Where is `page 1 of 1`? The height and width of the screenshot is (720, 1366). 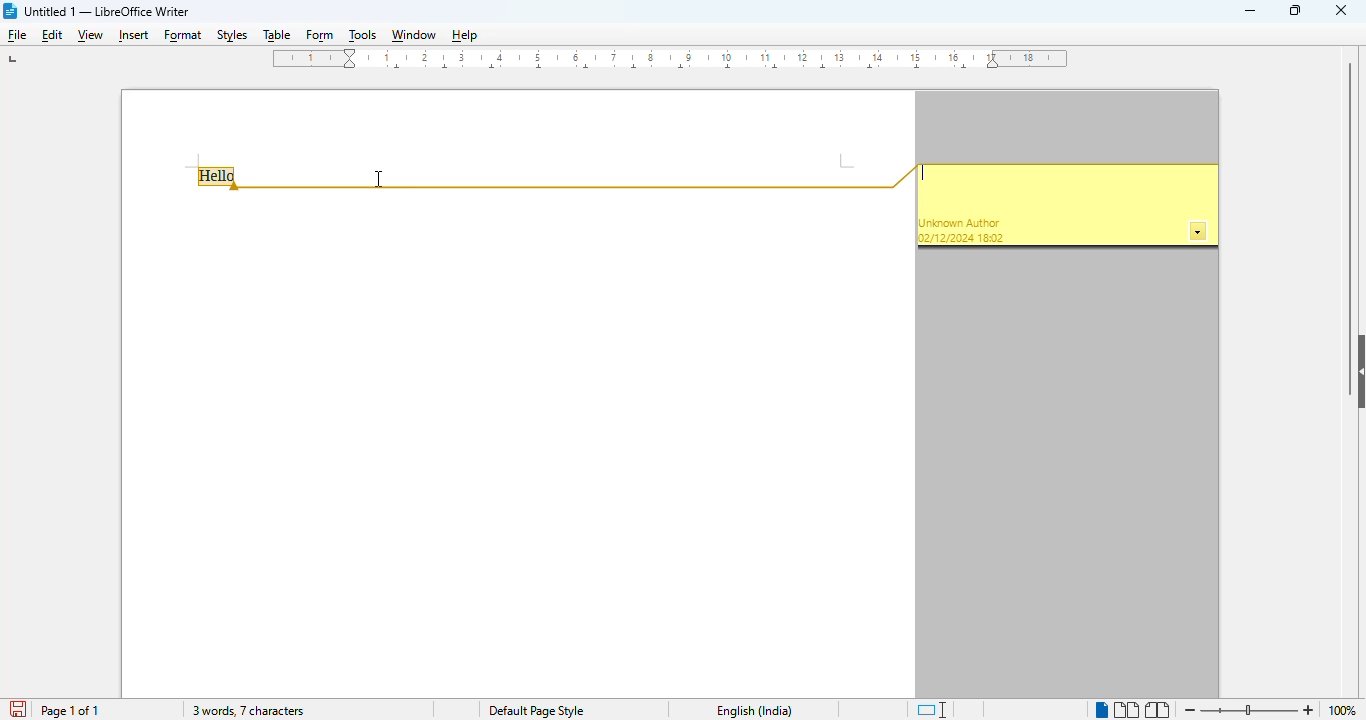
page 1 of 1 is located at coordinates (69, 711).